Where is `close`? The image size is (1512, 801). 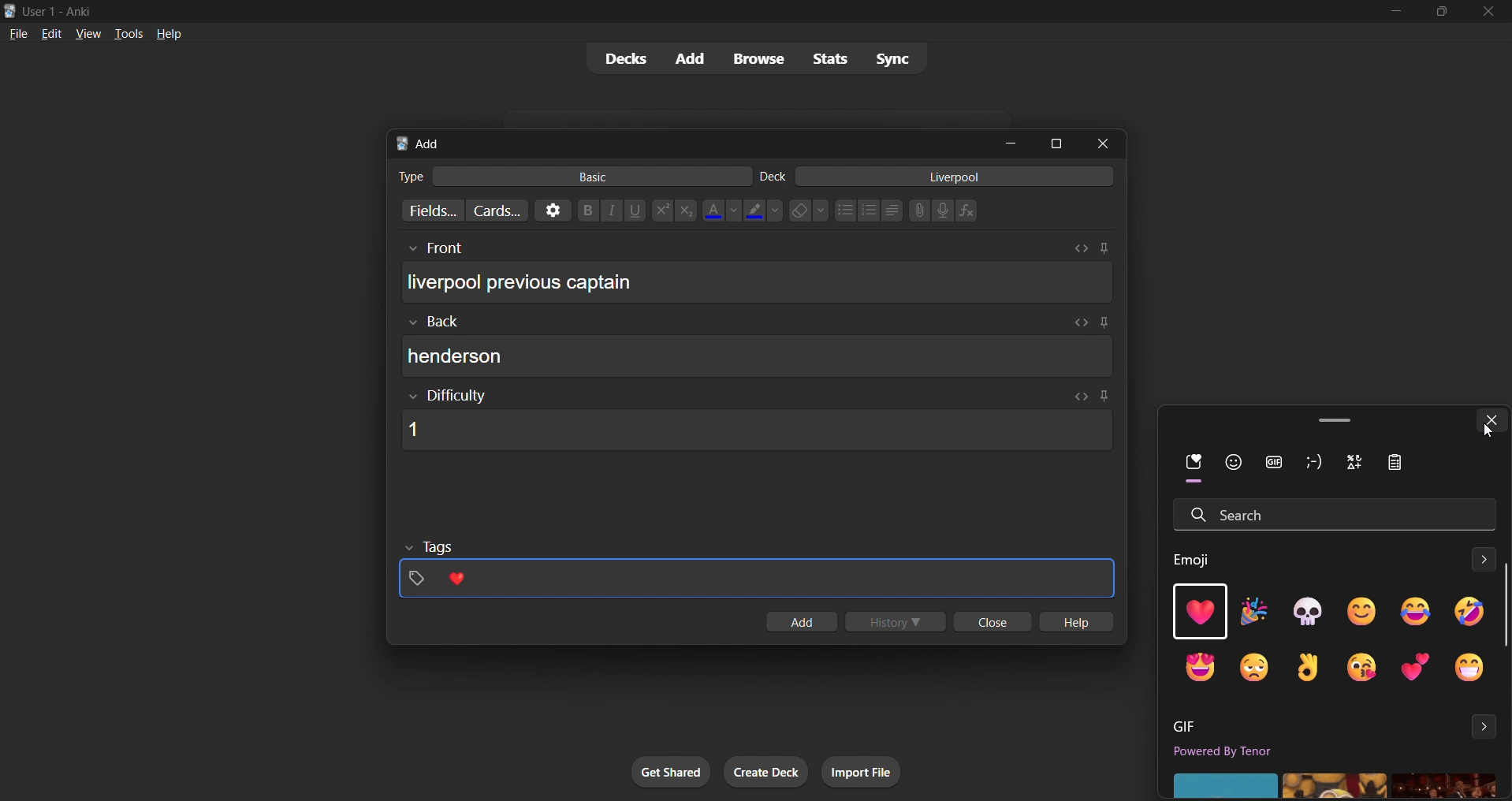 close is located at coordinates (1492, 420).